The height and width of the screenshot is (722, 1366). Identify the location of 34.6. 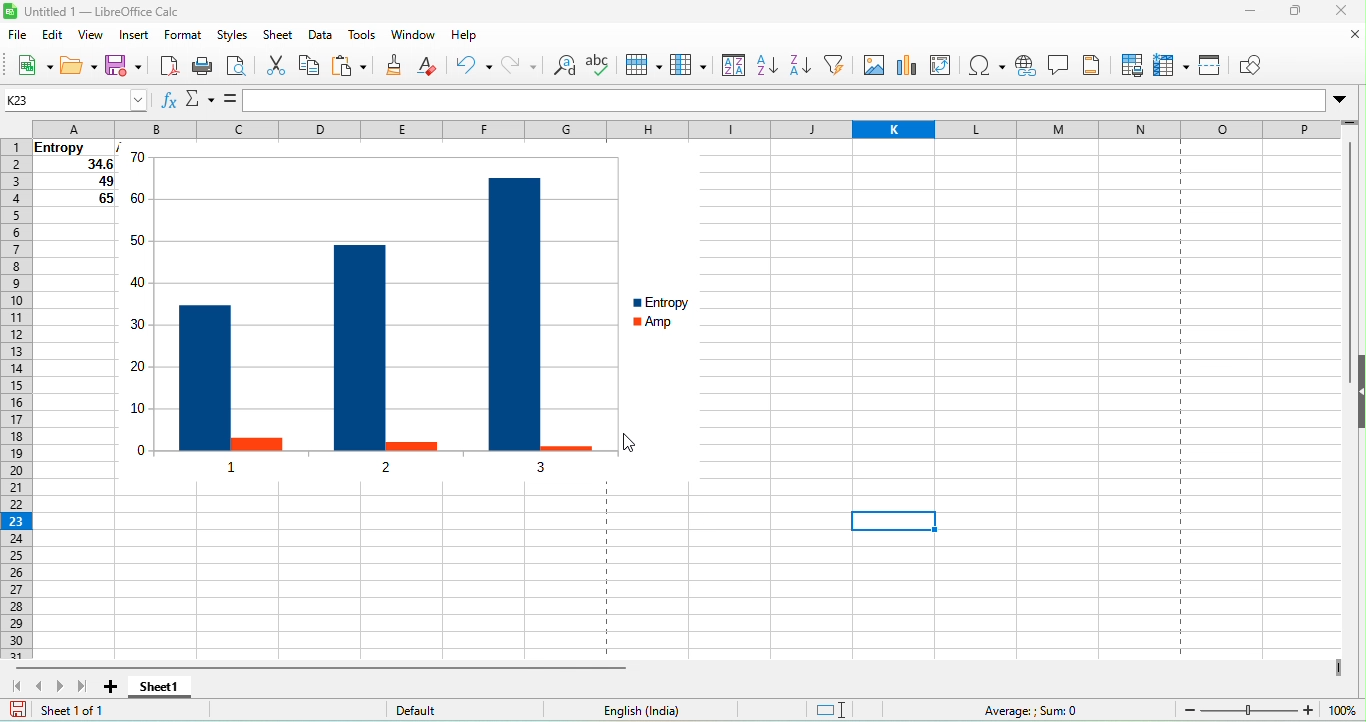
(72, 166).